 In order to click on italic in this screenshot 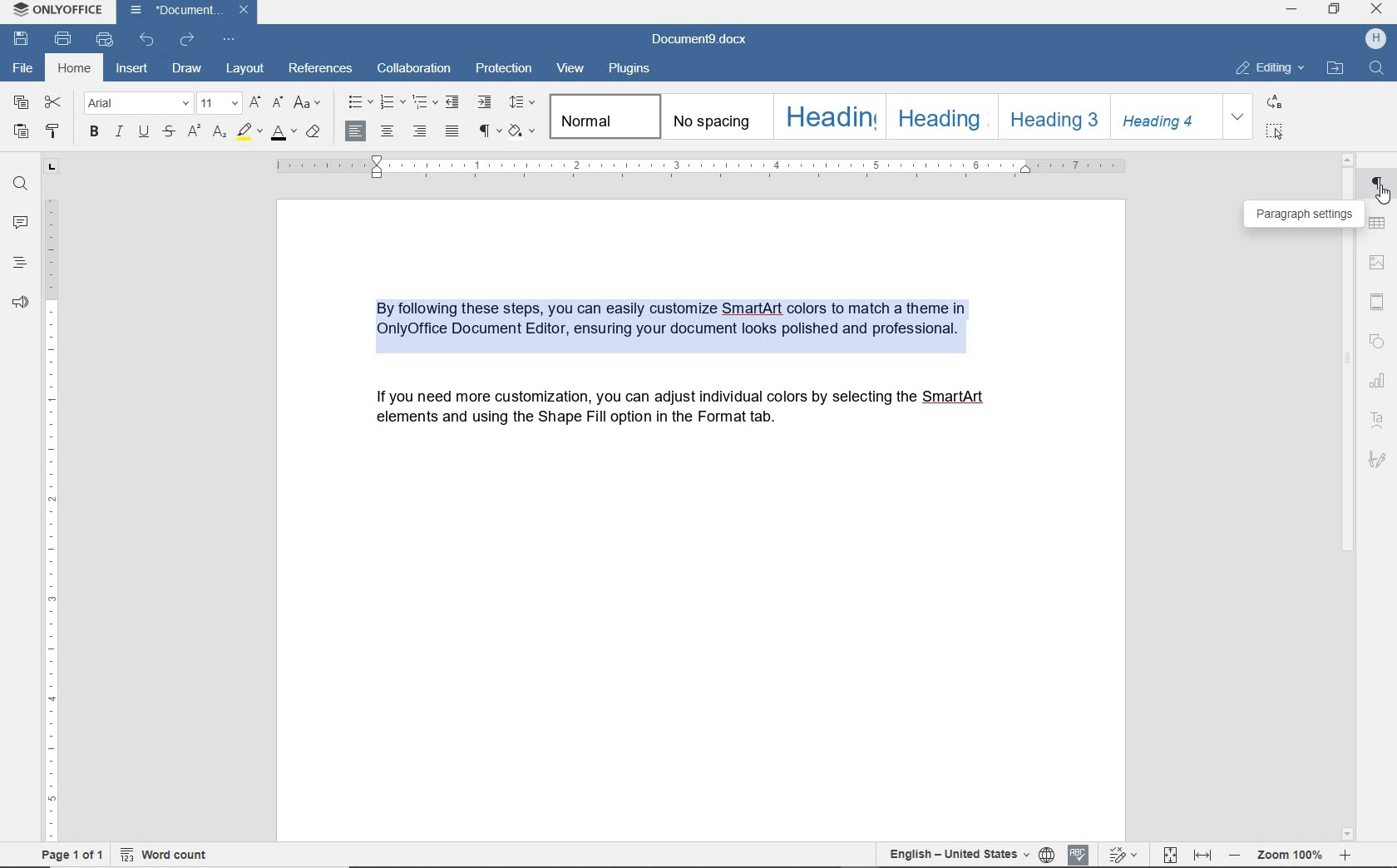, I will do `click(119, 132)`.